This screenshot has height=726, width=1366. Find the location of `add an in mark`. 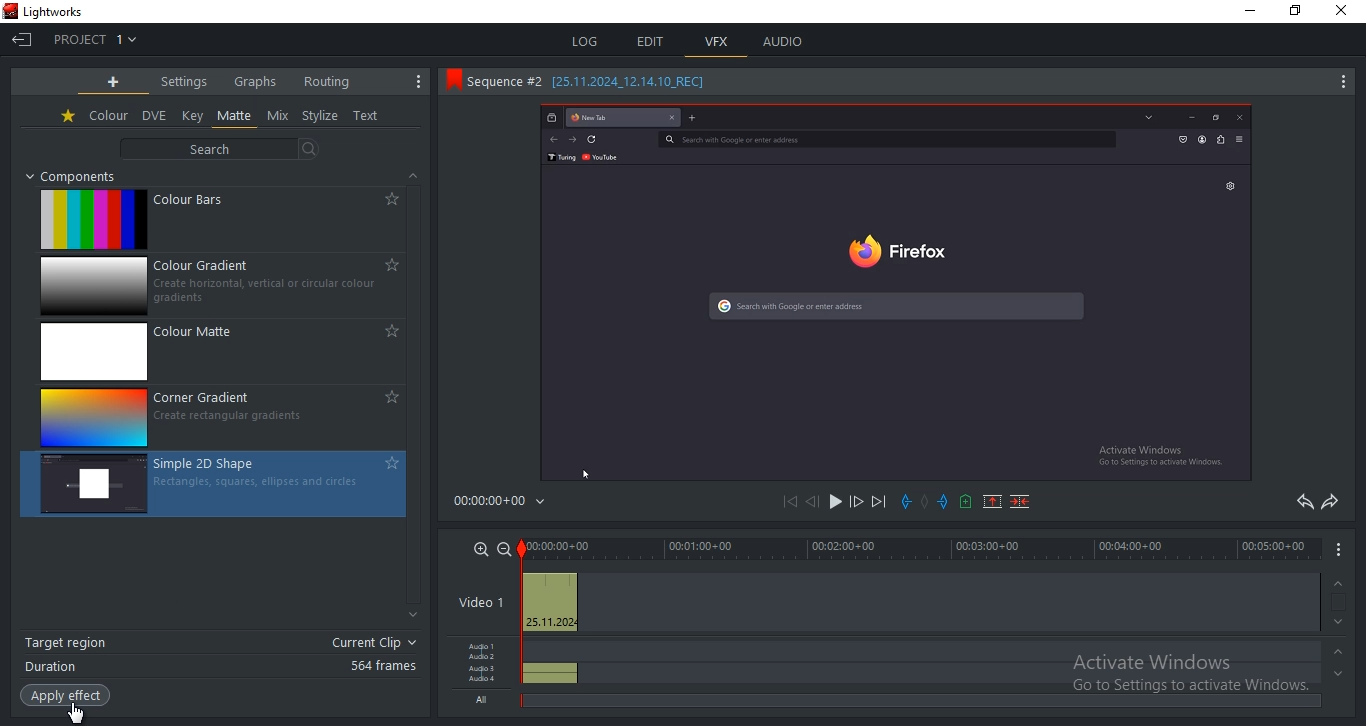

add an in mark is located at coordinates (907, 502).